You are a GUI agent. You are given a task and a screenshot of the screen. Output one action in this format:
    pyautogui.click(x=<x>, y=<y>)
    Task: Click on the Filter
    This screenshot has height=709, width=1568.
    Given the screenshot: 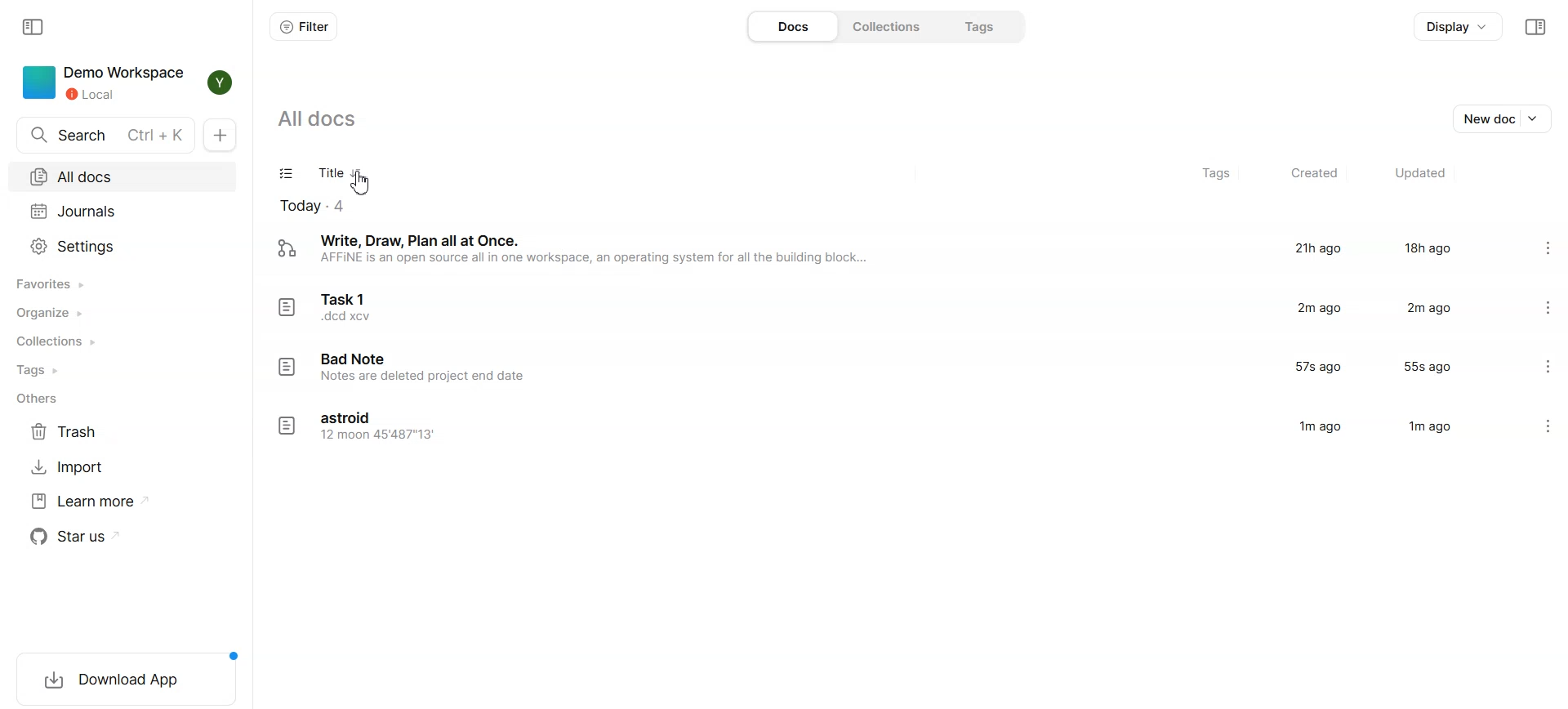 What is the action you would take?
    pyautogui.click(x=305, y=27)
    